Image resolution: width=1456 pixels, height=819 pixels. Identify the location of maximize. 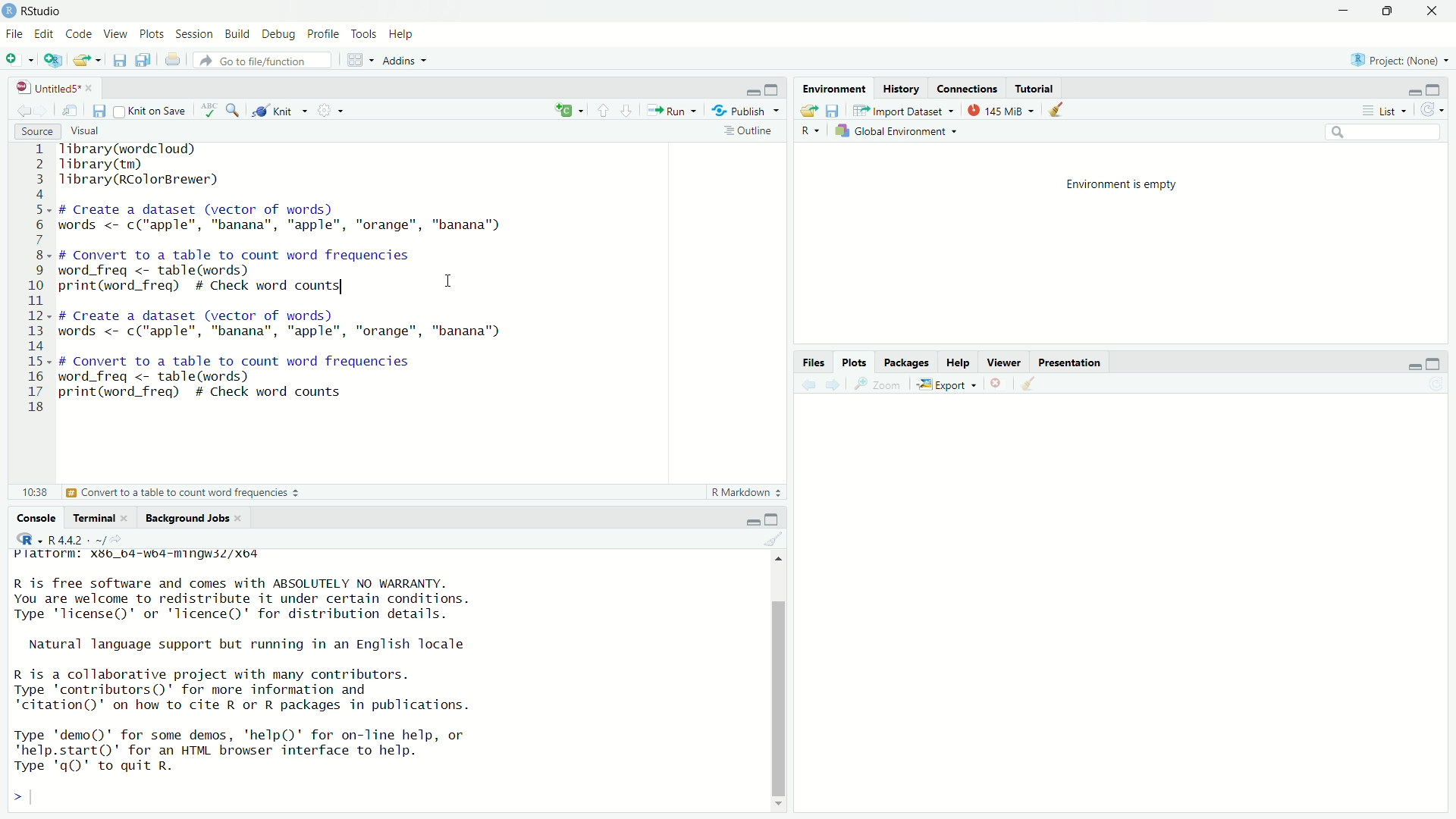
(1436, 91).